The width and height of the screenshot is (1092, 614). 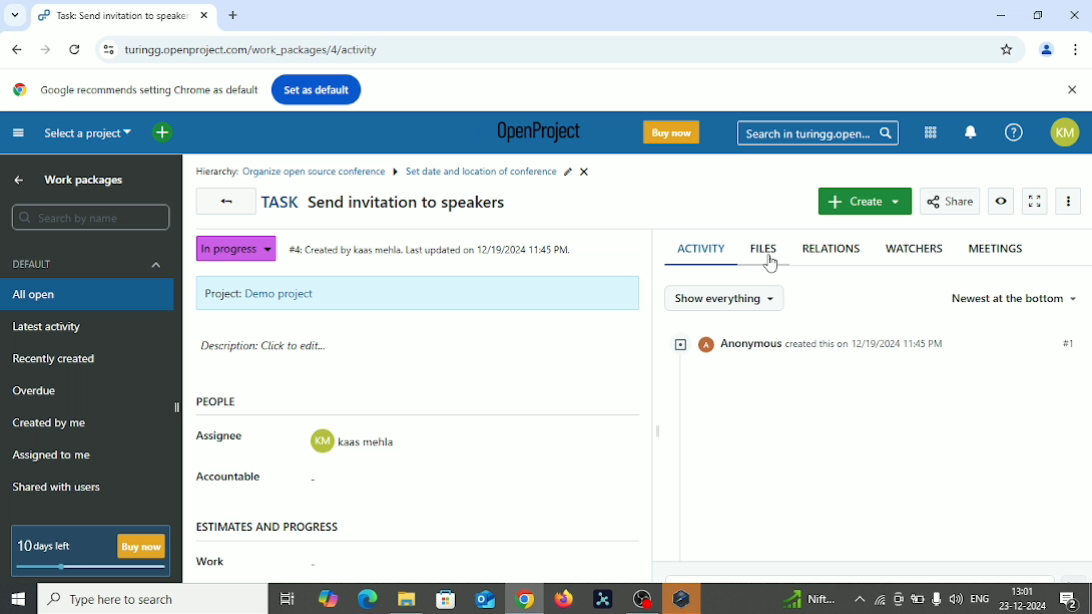 I want to click on Assignee, so click(x=223, y=434).